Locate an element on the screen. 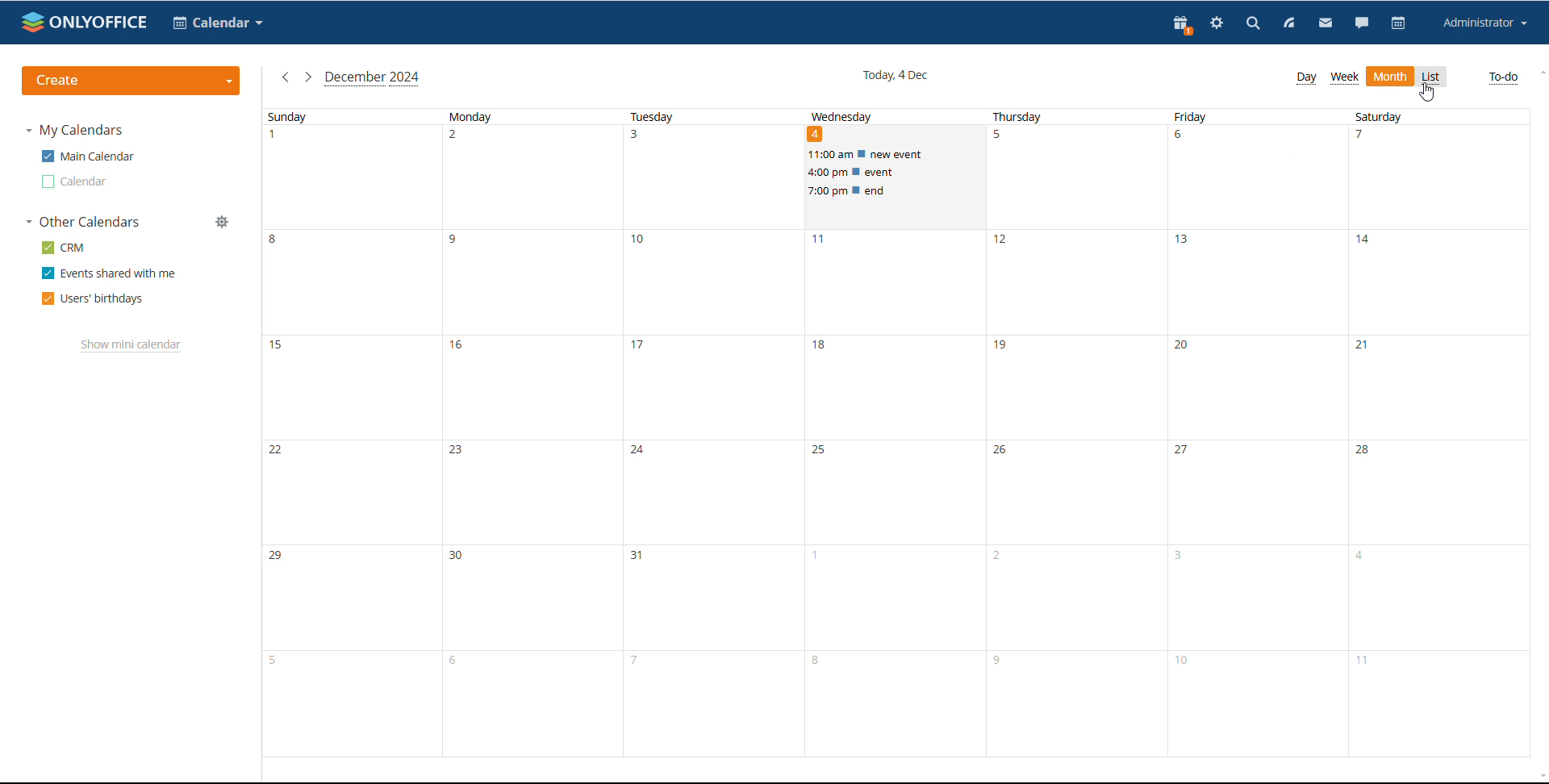  calendar is located at coordinates (1398, 23).